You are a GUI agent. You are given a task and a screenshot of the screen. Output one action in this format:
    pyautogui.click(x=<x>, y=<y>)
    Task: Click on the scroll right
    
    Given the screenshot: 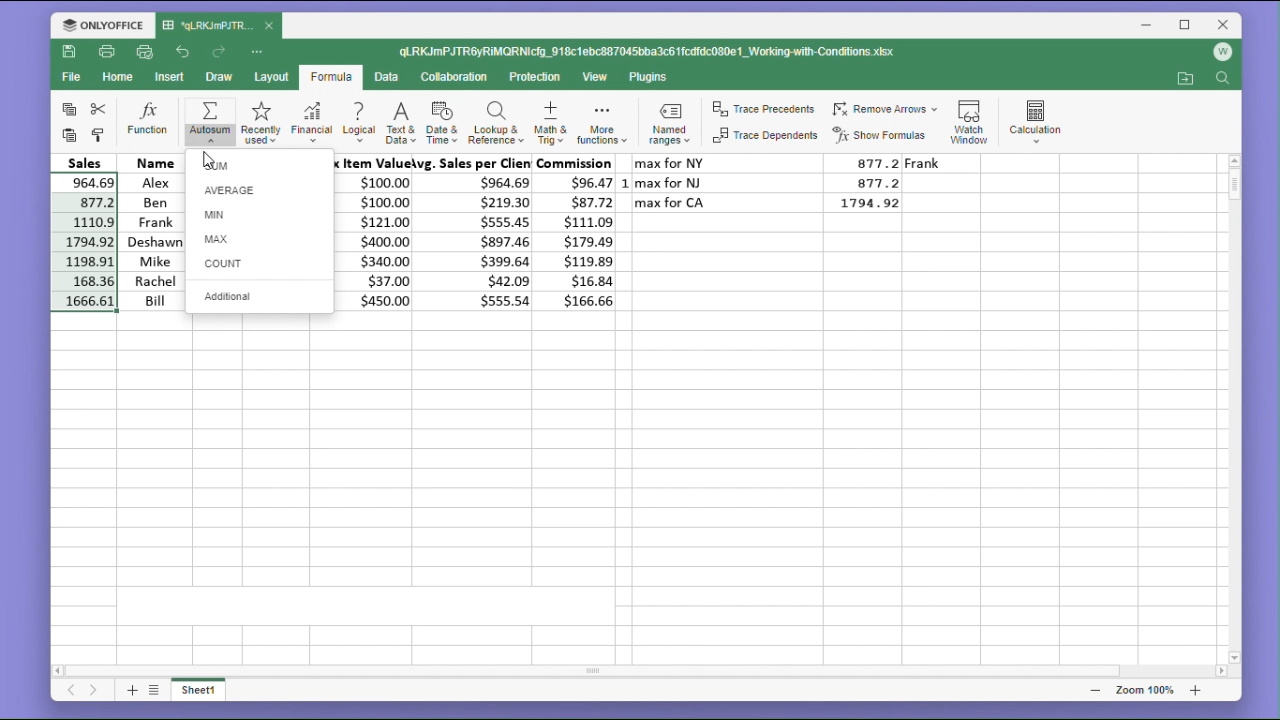 What is the action you would take?
    pyautogui.click(x=1220, y=672)
    